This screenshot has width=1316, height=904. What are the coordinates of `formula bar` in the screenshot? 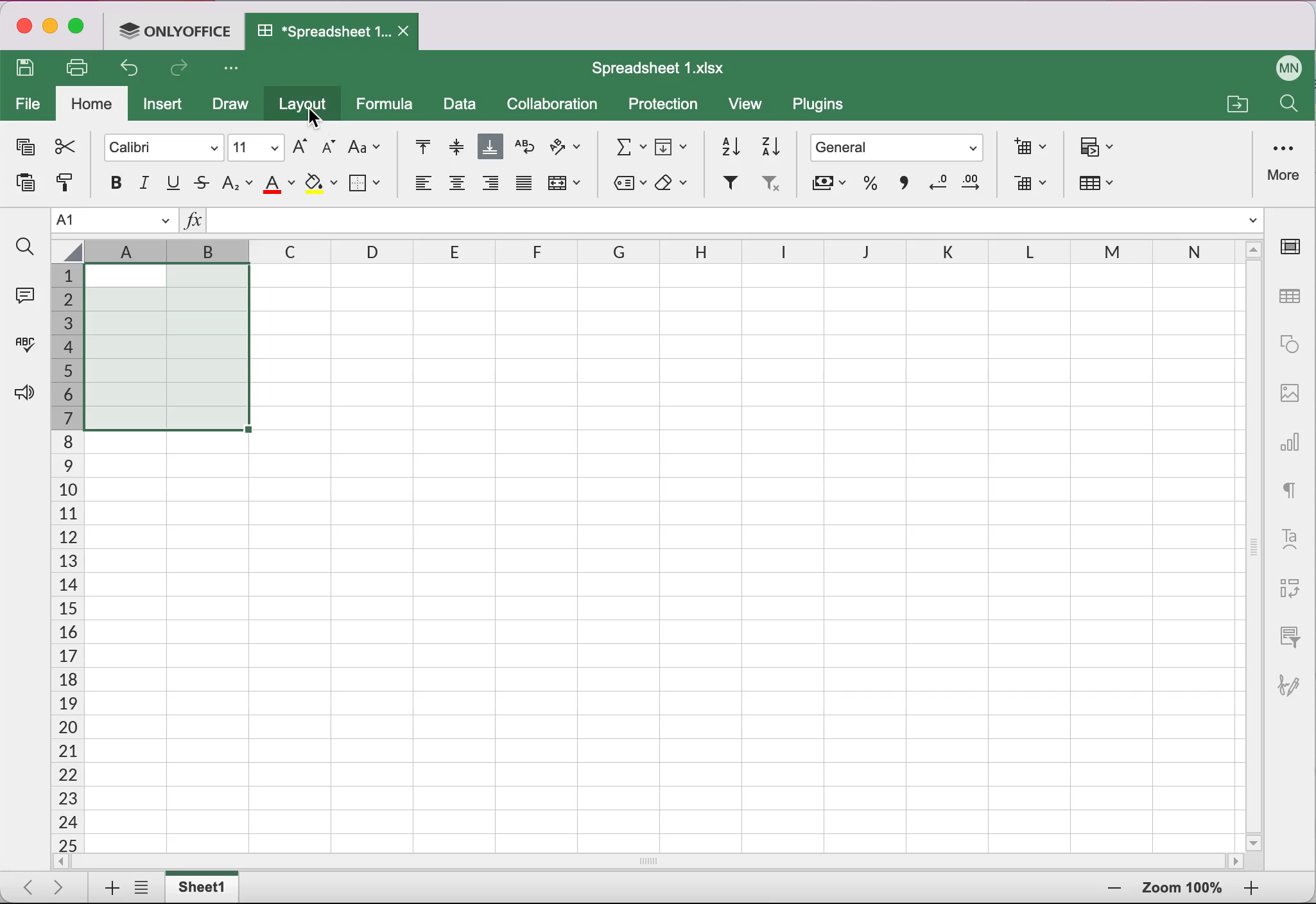 It's located at (737, 223).